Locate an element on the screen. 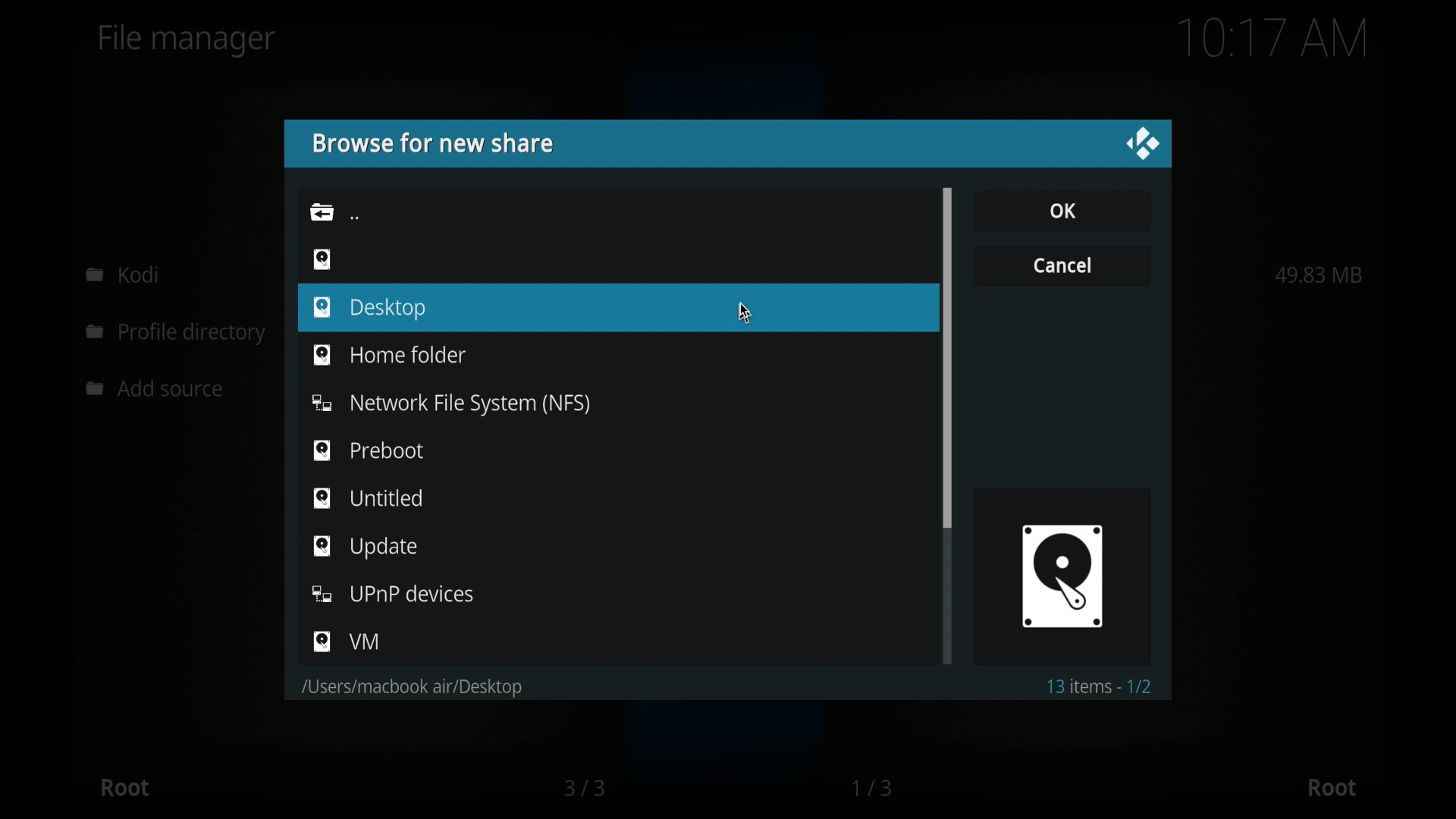  add source is located at coordinates (158, 389).